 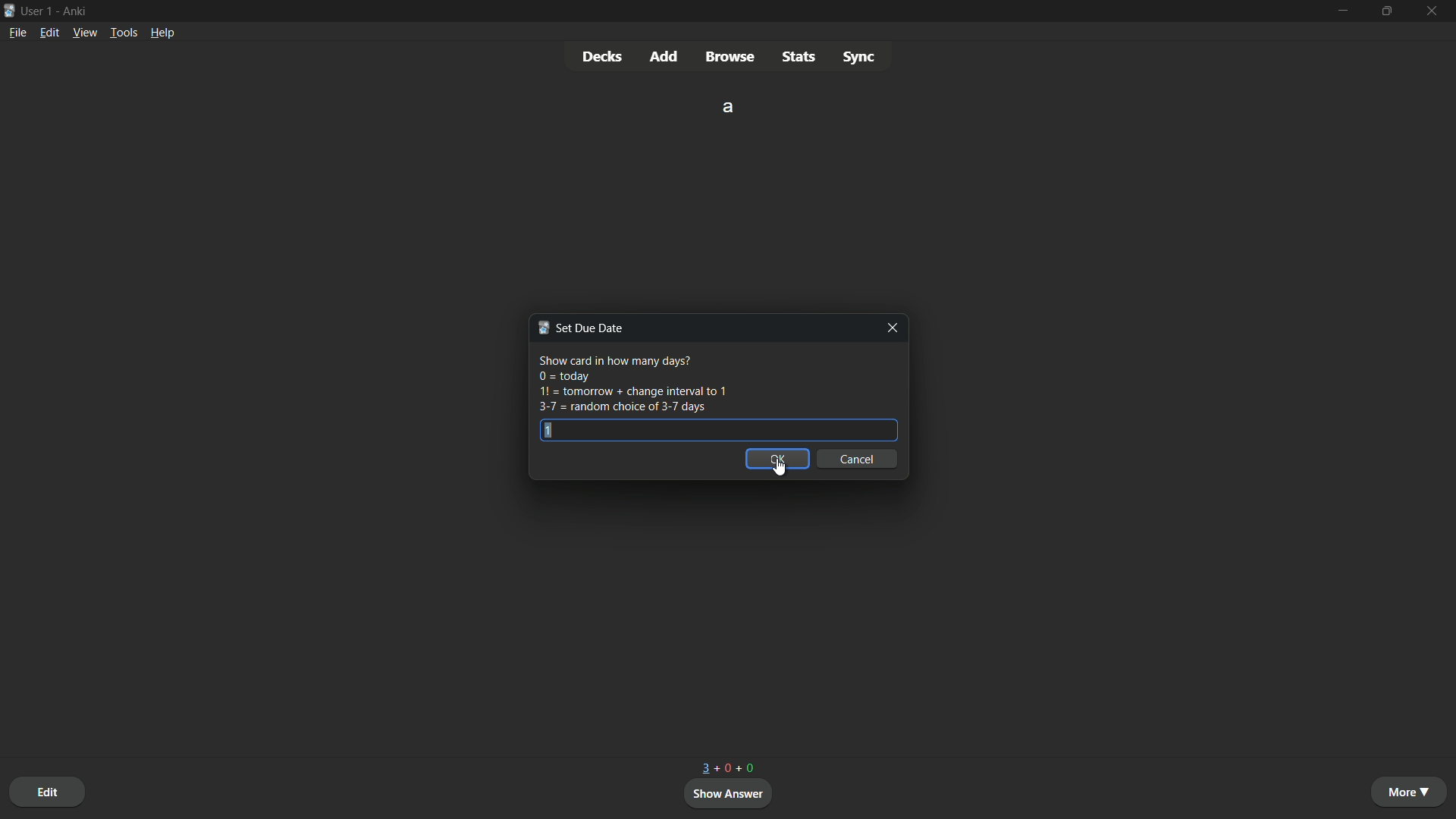 What do you see at coordinates (563, 376) in the screenshot?
I see `0=today` at bounding box center [563, 376].